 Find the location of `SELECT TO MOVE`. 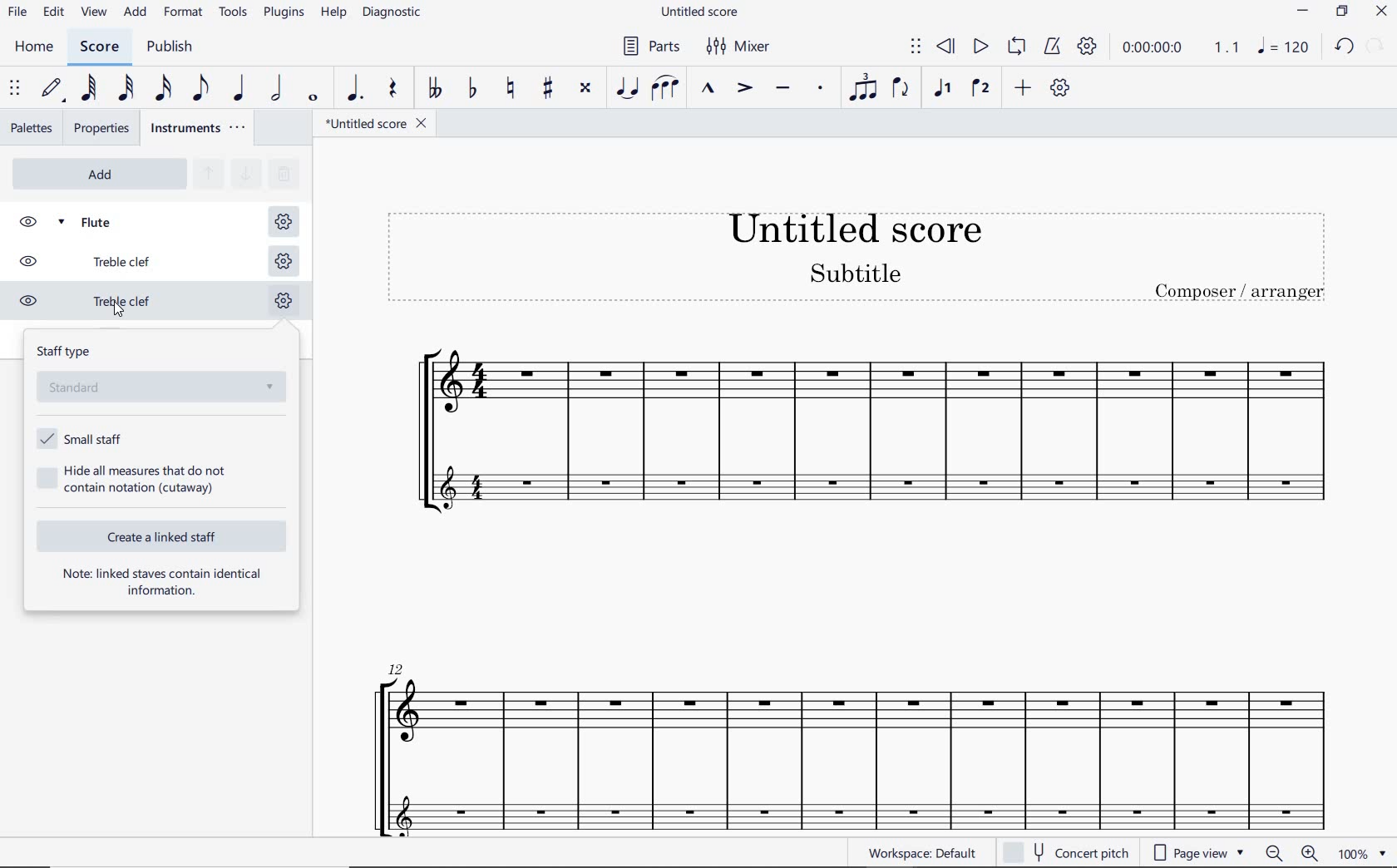

SELECT TO MOVE is located at coordinates (15, 91).